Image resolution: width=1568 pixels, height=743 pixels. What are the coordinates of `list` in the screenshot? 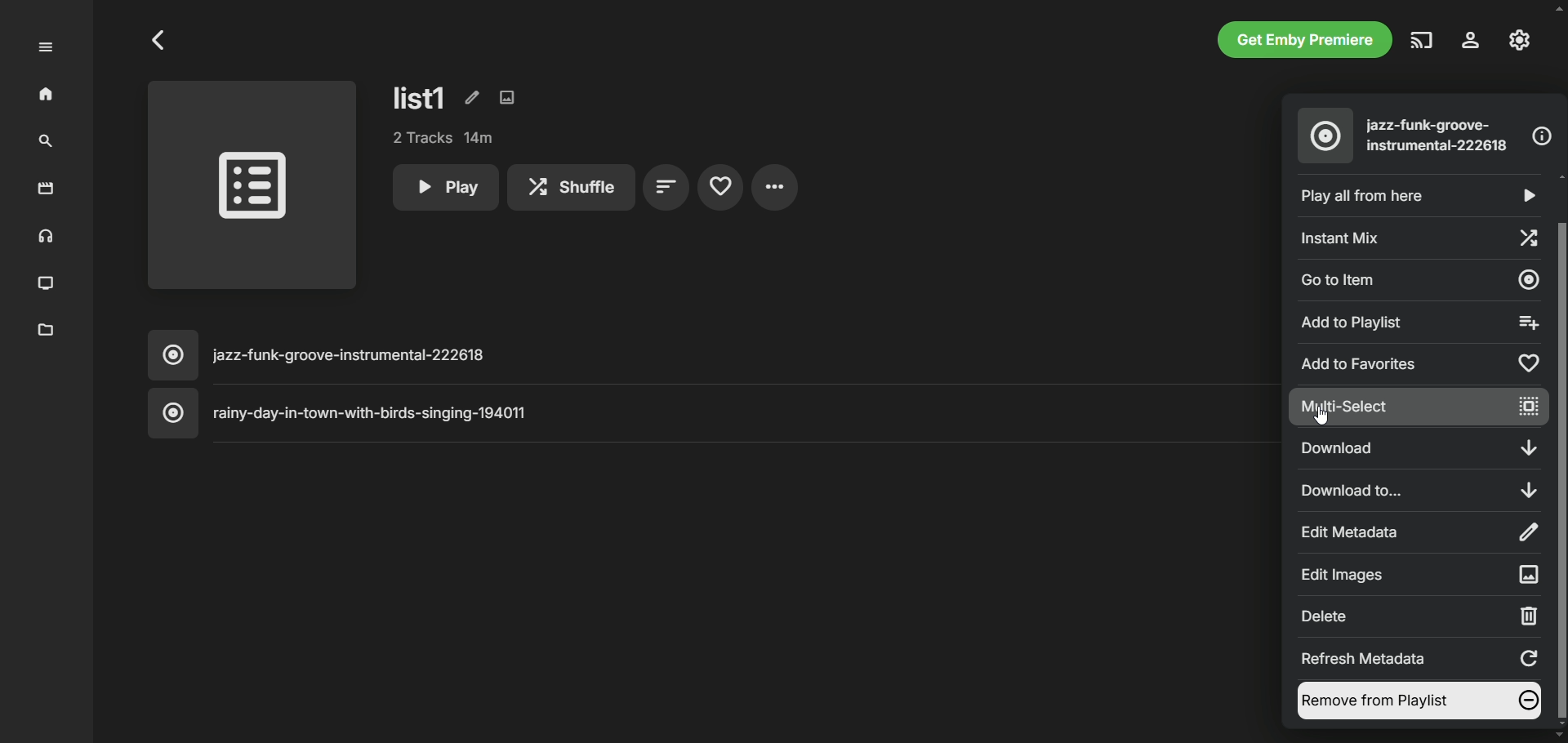 It's located at (421, 97).